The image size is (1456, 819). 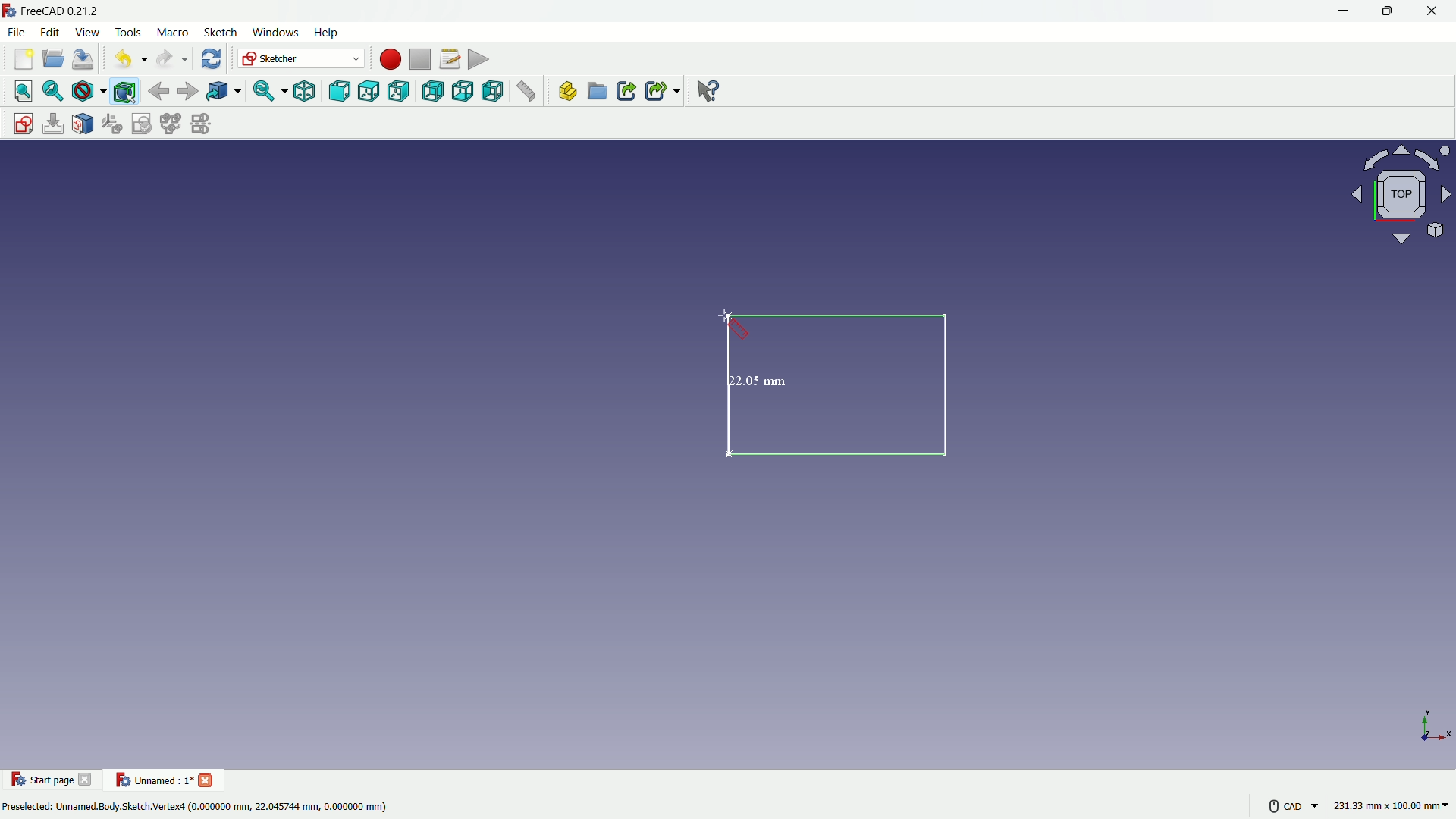 I want to click on merge sketches, so click(x=172, y=124).